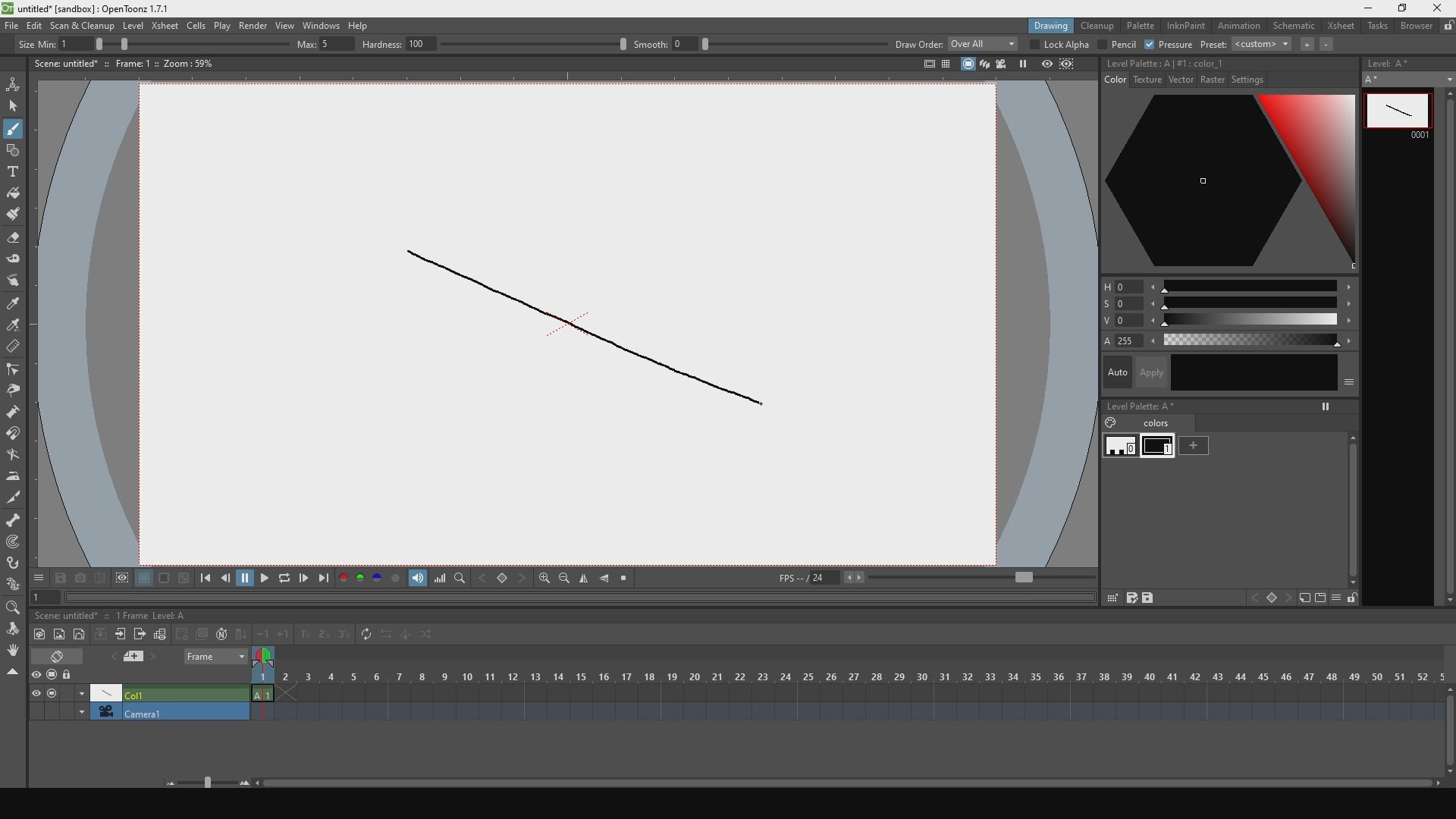 This screenshot has width=1456, height=819. I want to click on animate, so click(17, 83).